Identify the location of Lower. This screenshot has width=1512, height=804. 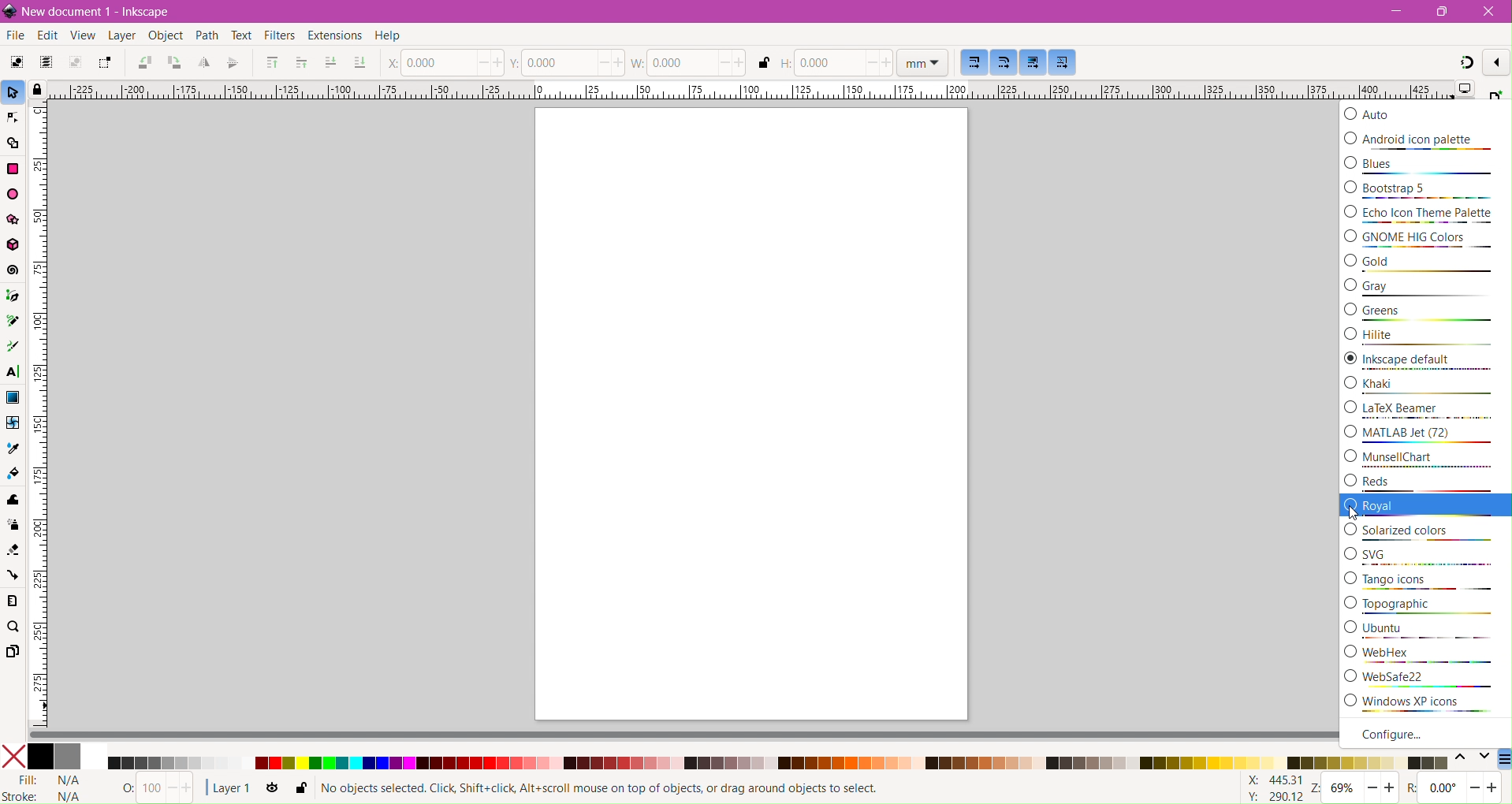
(330, 61).